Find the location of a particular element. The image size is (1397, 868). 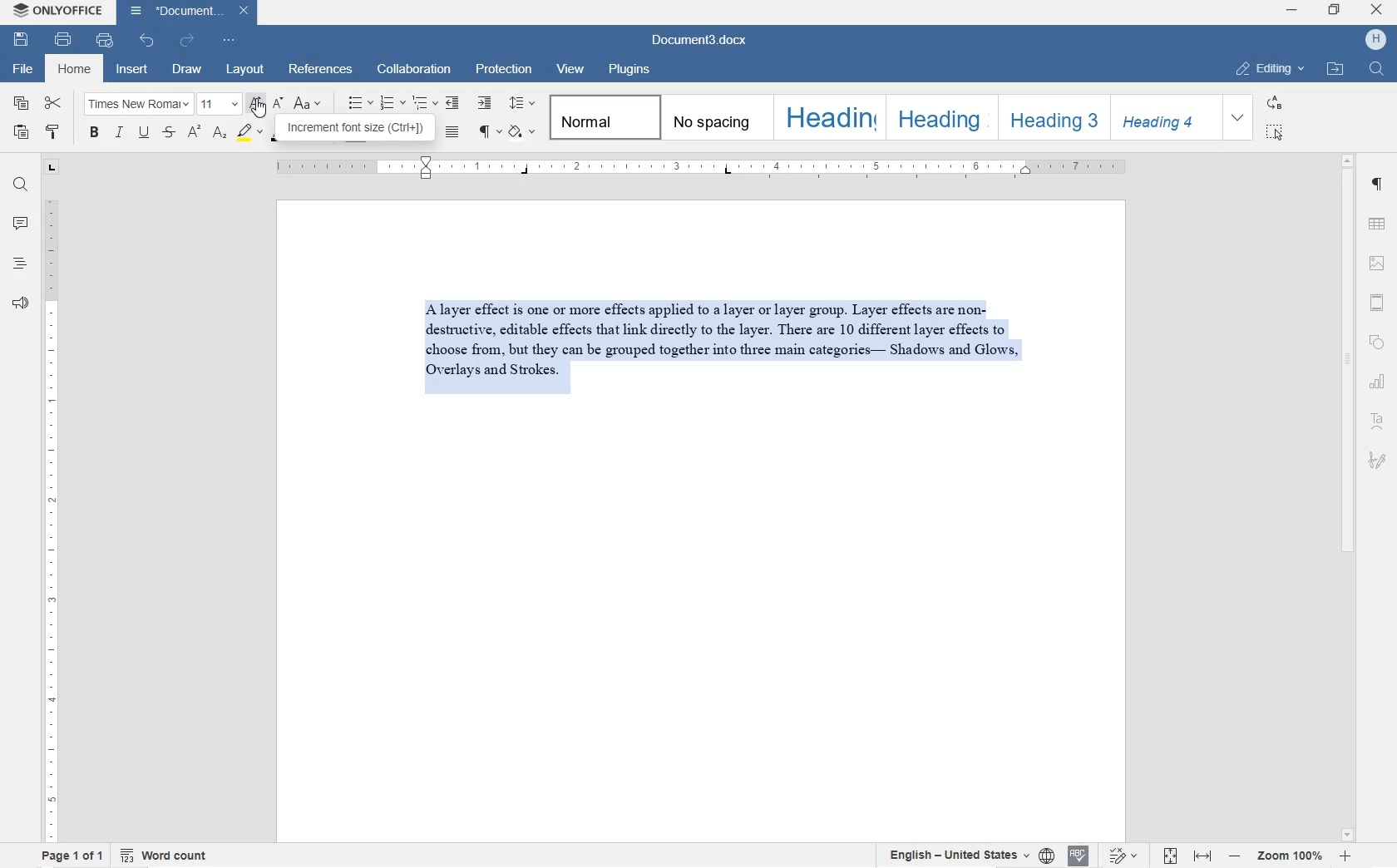

quick print is located at coordinates (106, 41).